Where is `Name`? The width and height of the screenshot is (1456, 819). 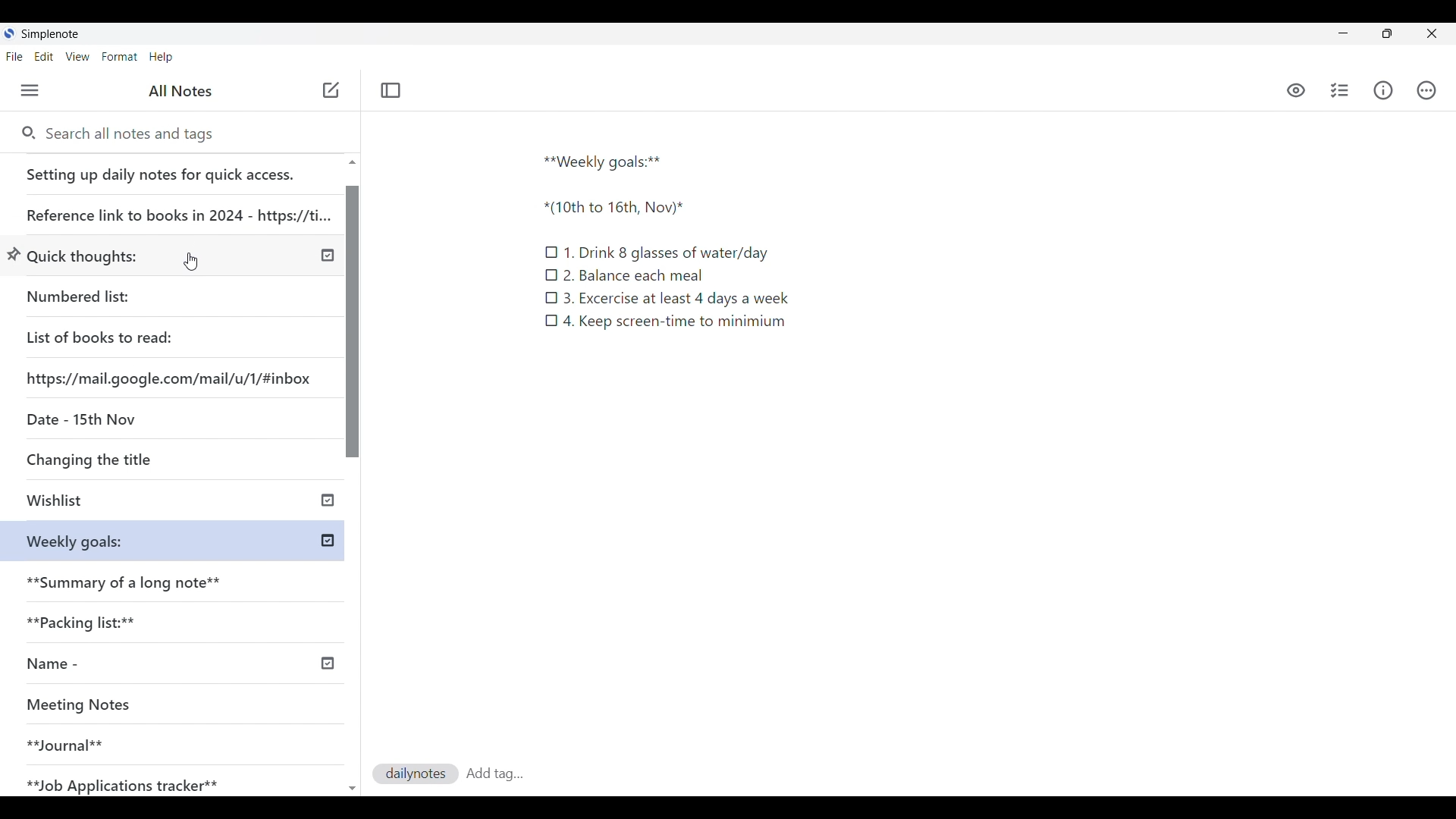 Name is located at coordinates (108, 664).